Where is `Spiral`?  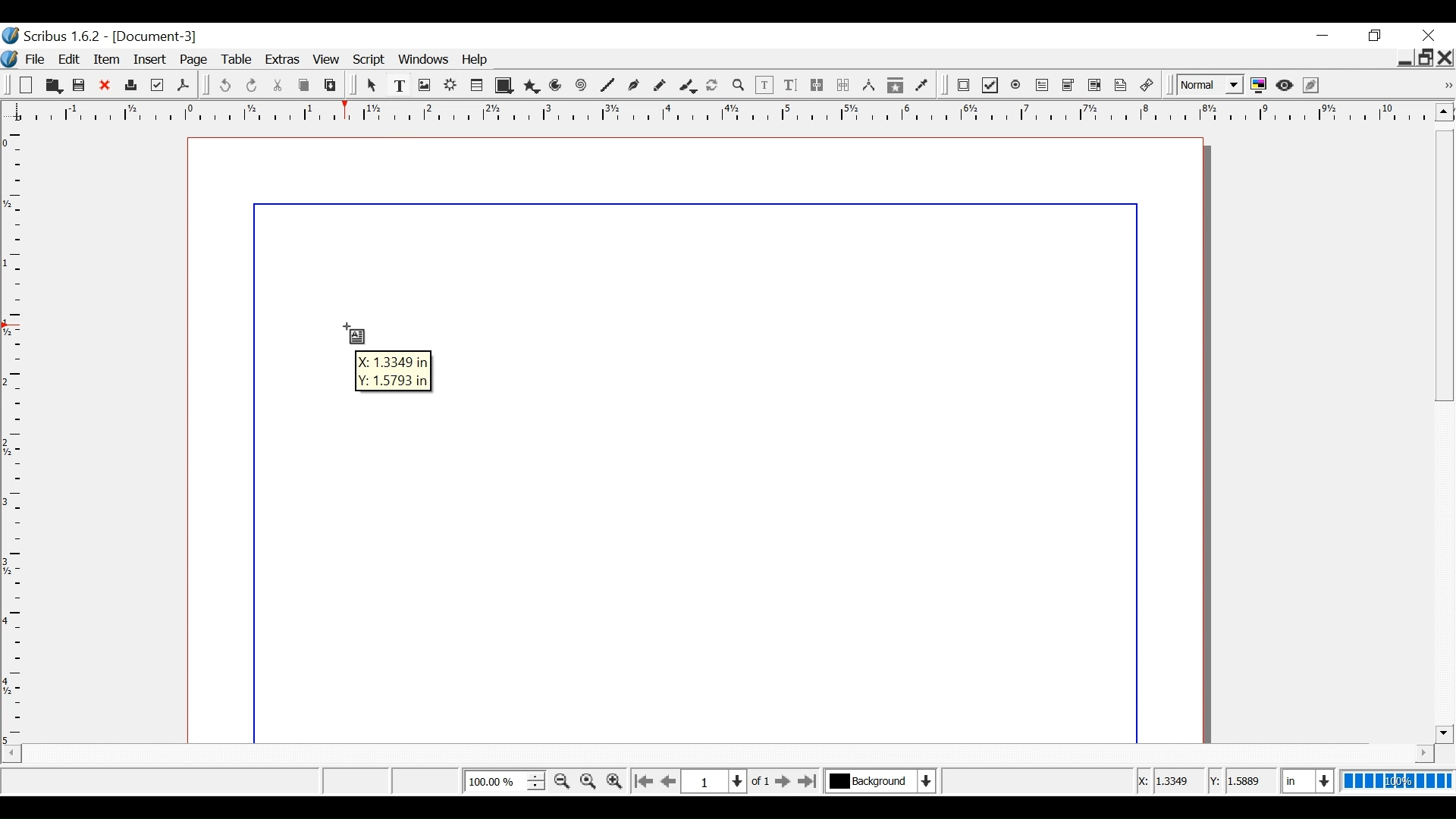
Spiral is located at coordinates (582, 86).